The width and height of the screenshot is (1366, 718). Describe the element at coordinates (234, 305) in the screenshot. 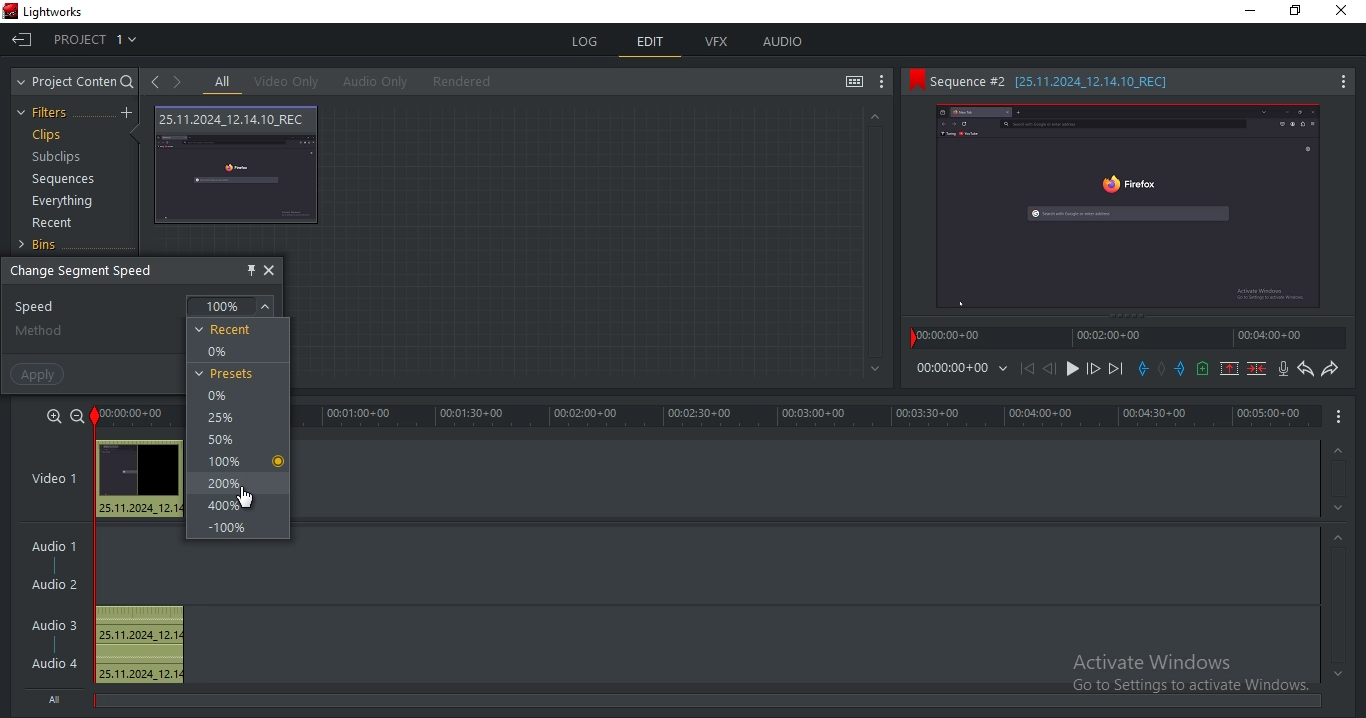

I see `100%` at that location.